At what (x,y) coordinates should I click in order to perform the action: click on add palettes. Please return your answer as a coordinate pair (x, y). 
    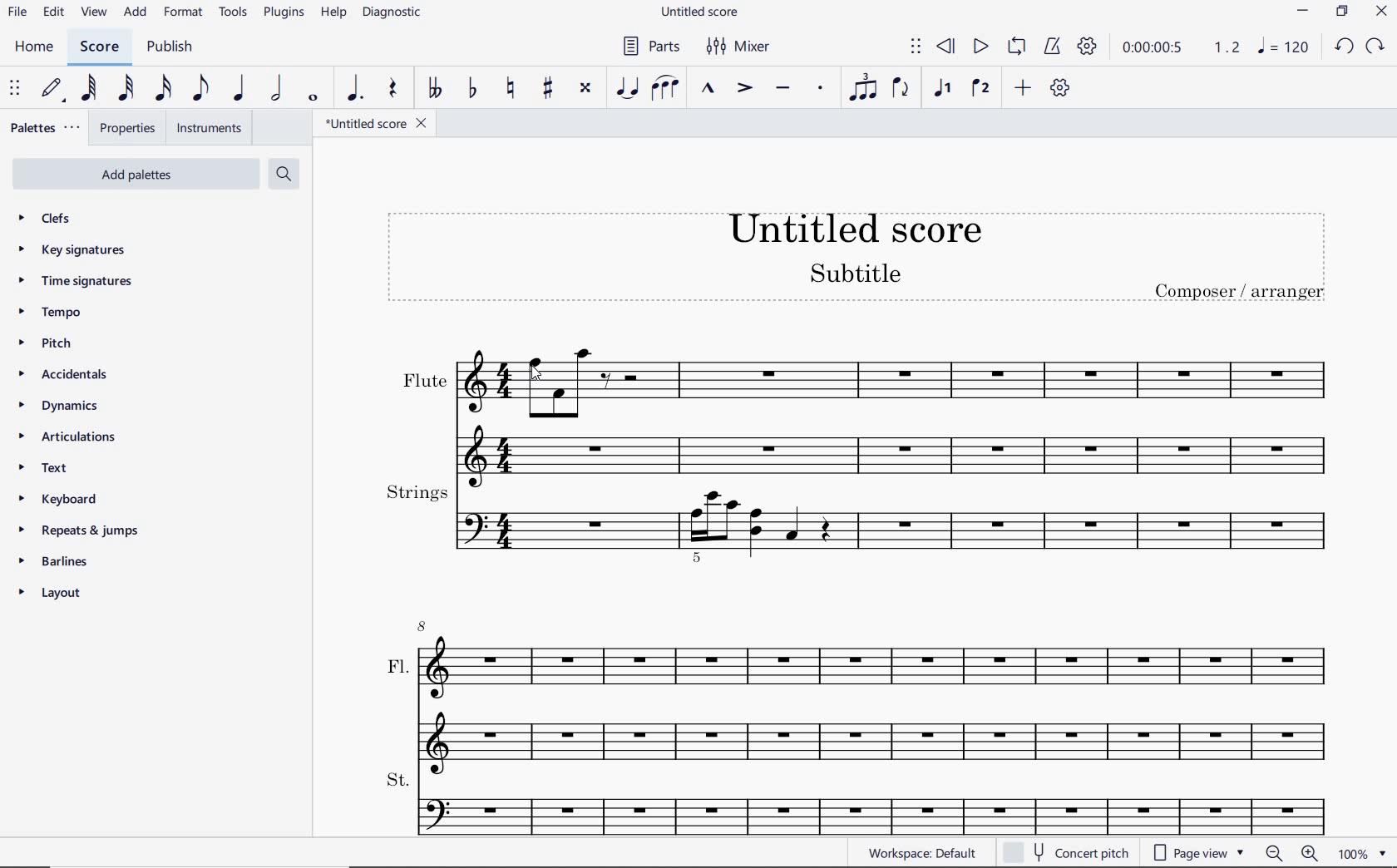
    Looking at the image, I should click on (142, 173).